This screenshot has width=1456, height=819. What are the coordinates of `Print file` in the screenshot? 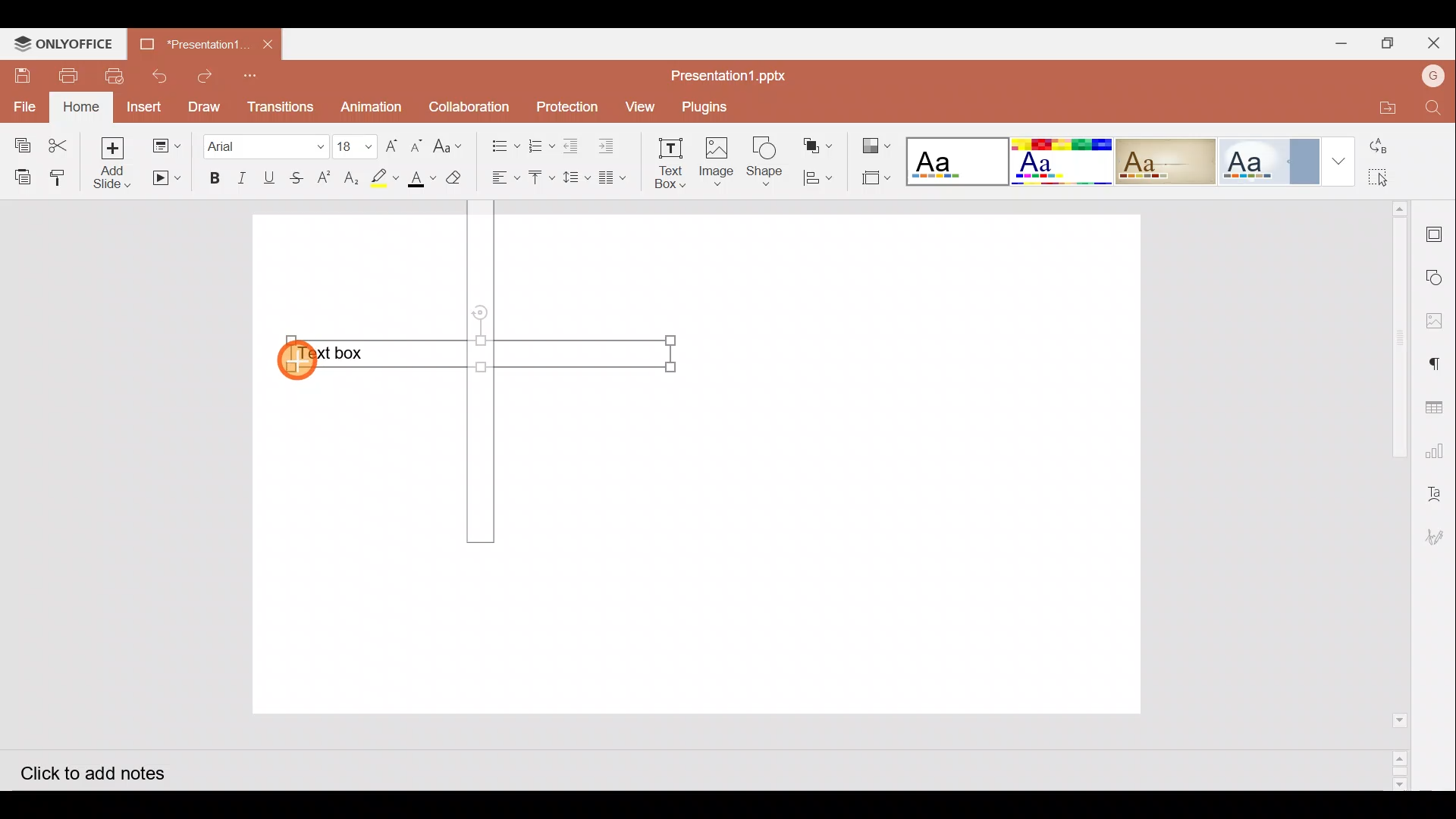 It's located at (62, 75).